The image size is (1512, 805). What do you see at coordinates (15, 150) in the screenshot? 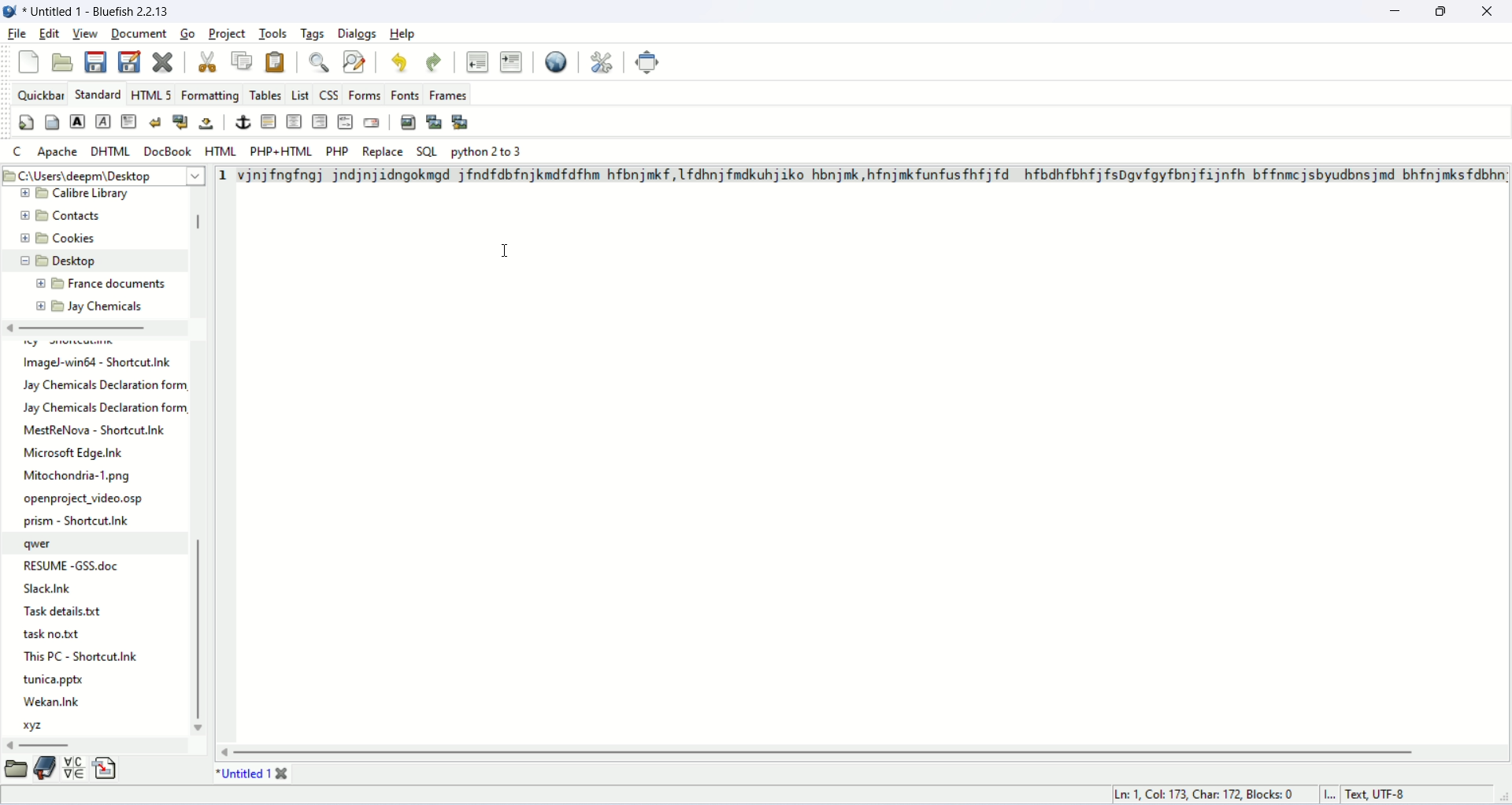
I see `C` at bounding box center [15, 150].